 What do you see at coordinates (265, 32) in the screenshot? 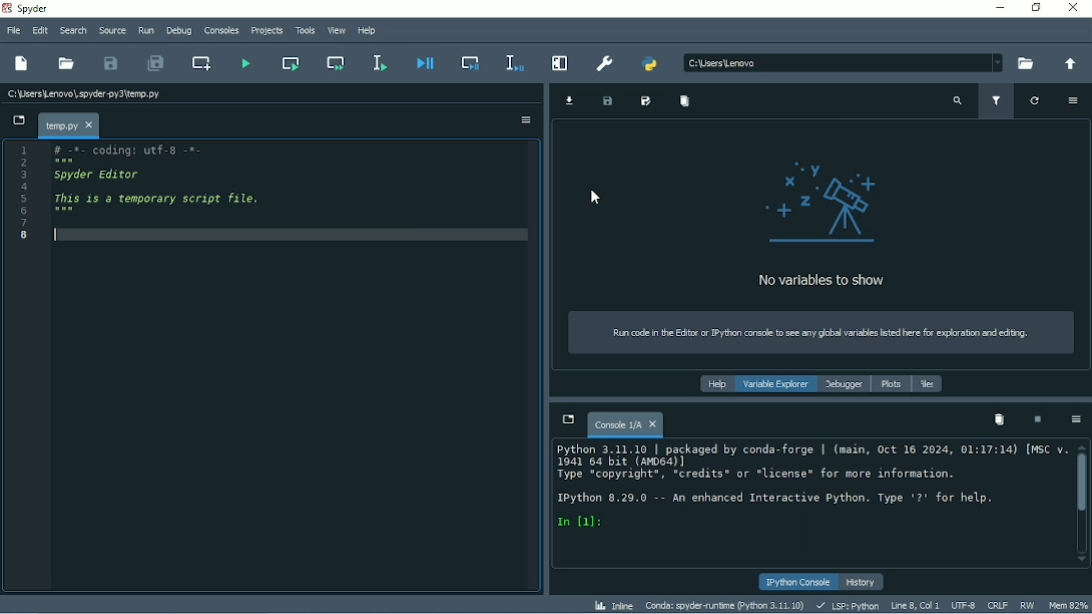
I see `Projects` at bounding box center [265, 32].